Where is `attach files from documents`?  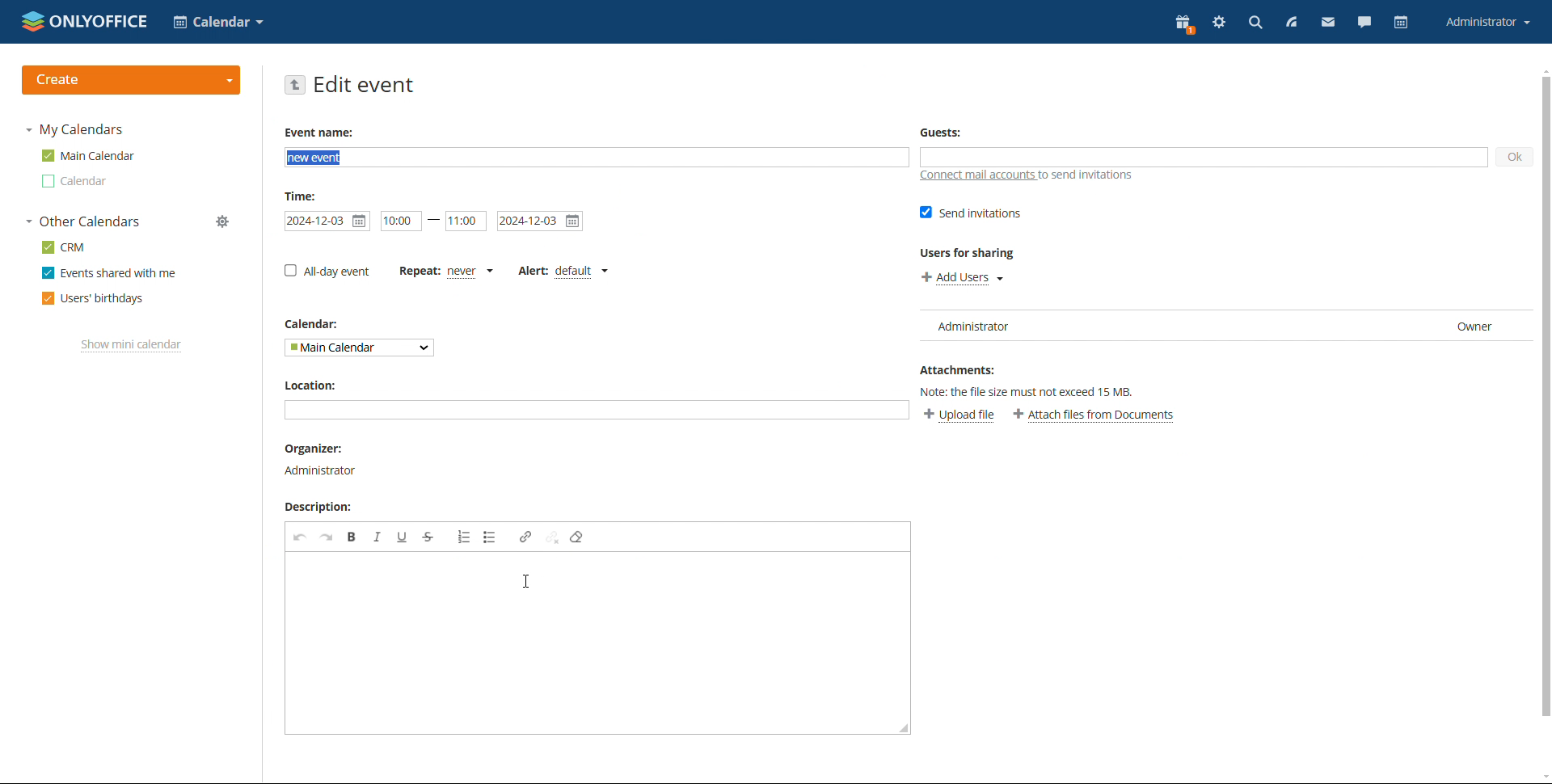
attach files from documents is located at coordinates (1094, 415).